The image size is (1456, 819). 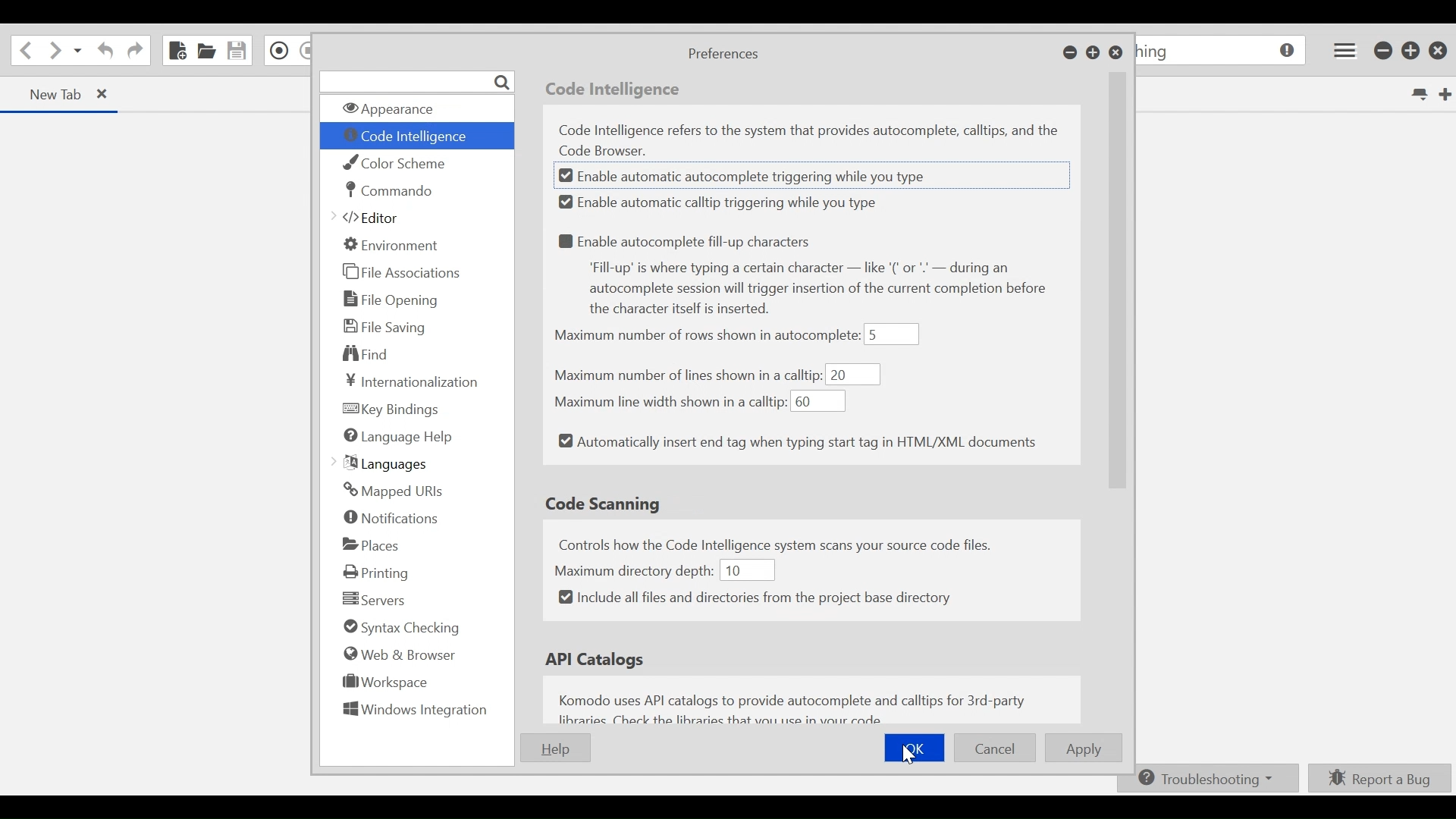 I want to click on Servers, so click(x=374, y=600).